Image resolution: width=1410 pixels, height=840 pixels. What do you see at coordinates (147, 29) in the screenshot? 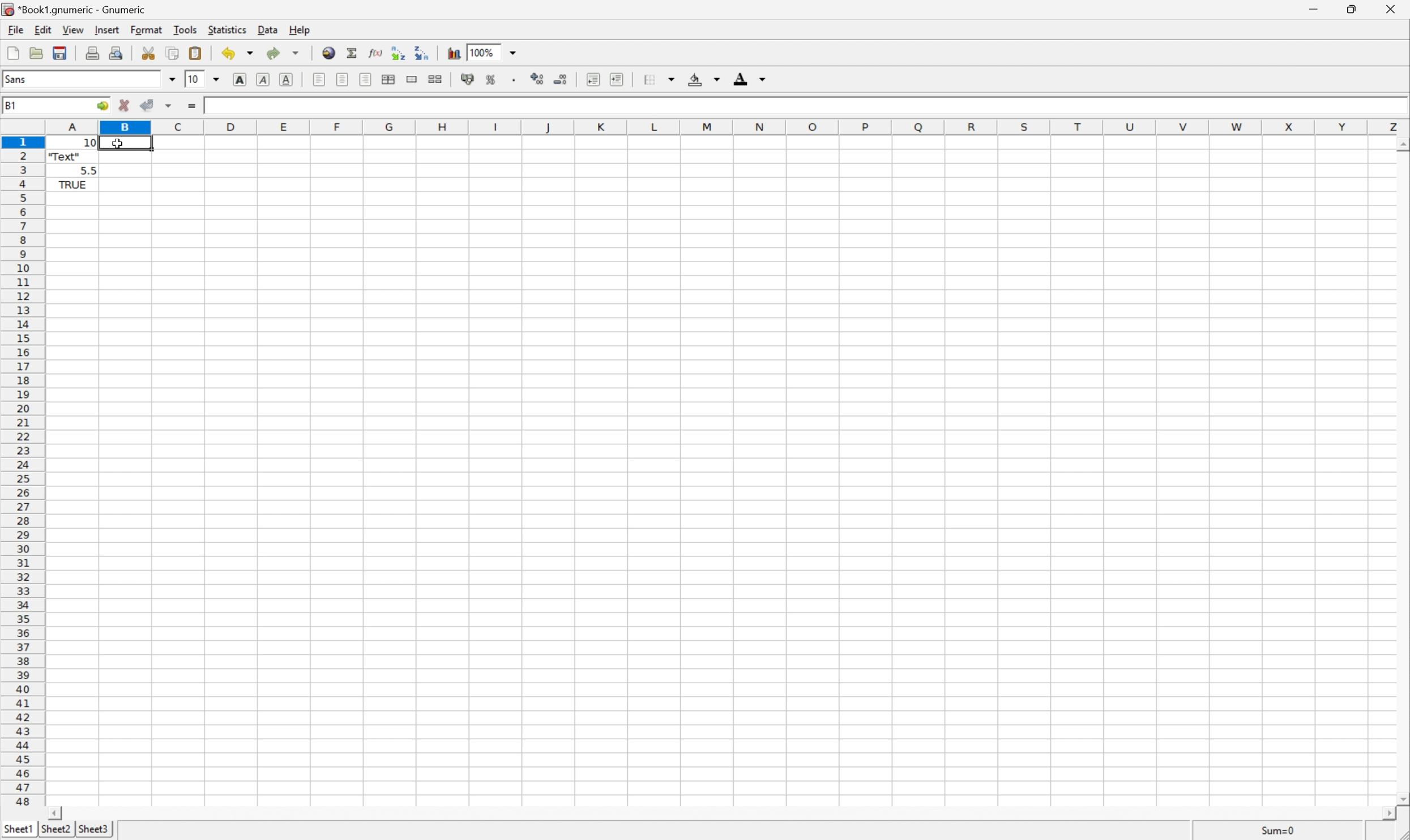
I see `Format` at bounding box center [147, 29].